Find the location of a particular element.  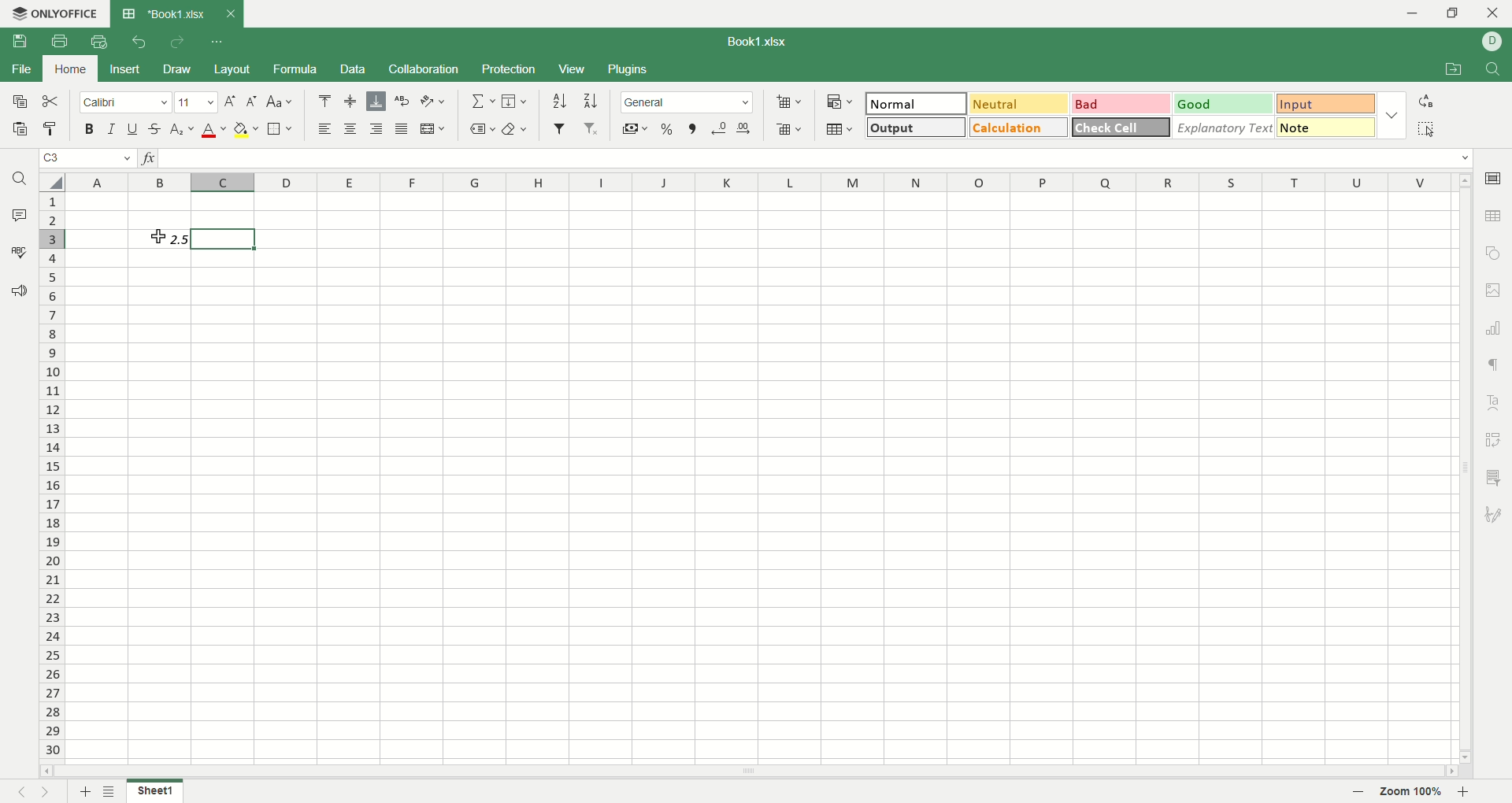

Zoom percent is located at coordinates (1411, 793).